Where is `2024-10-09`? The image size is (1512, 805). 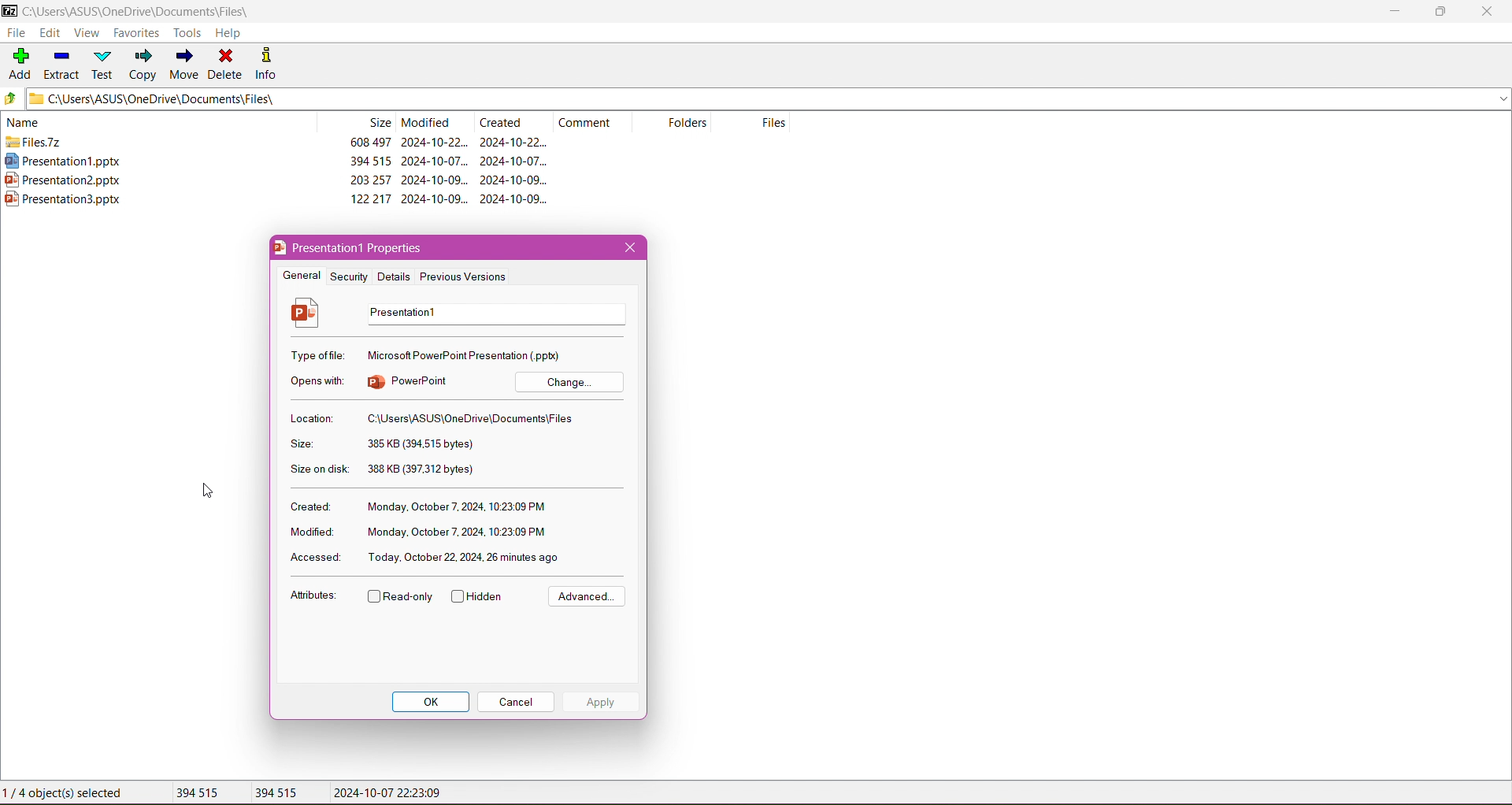
2024-10-09 is located at coordinates (434, 198).